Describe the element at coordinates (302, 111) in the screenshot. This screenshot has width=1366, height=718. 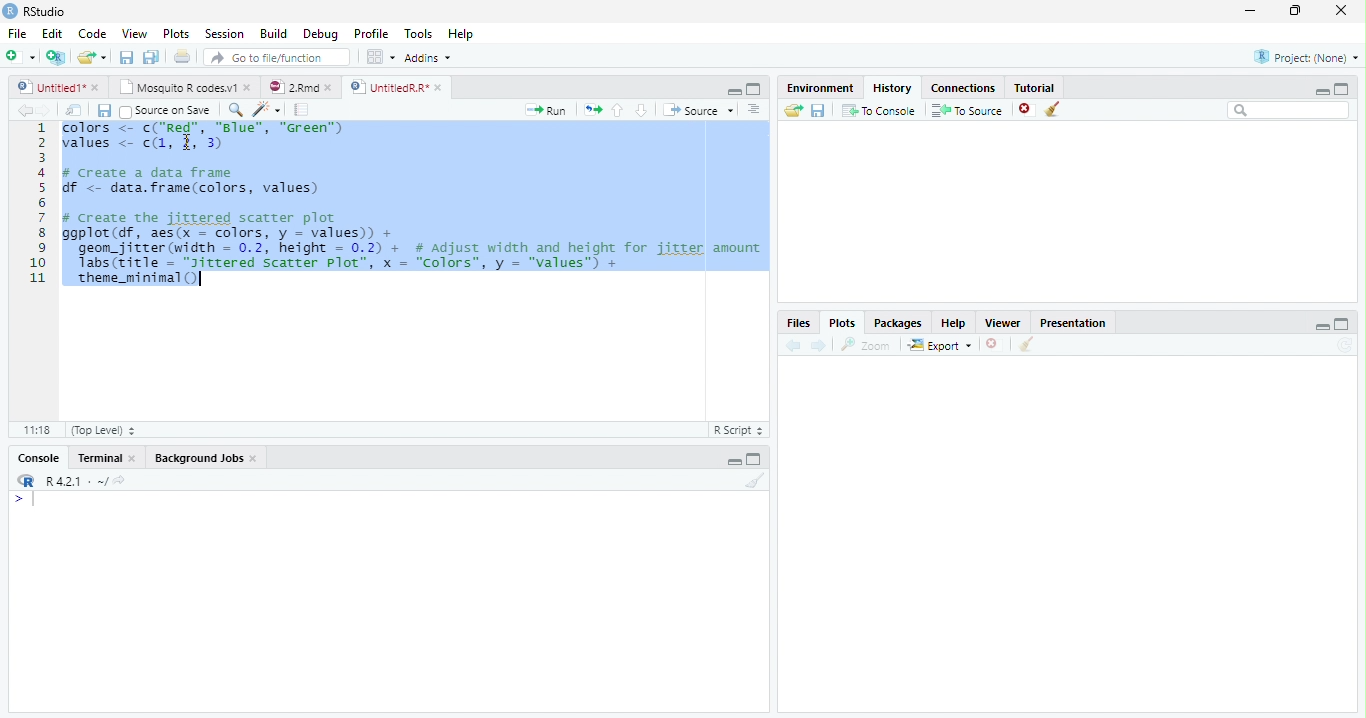
I see `Compile Report` at that location.